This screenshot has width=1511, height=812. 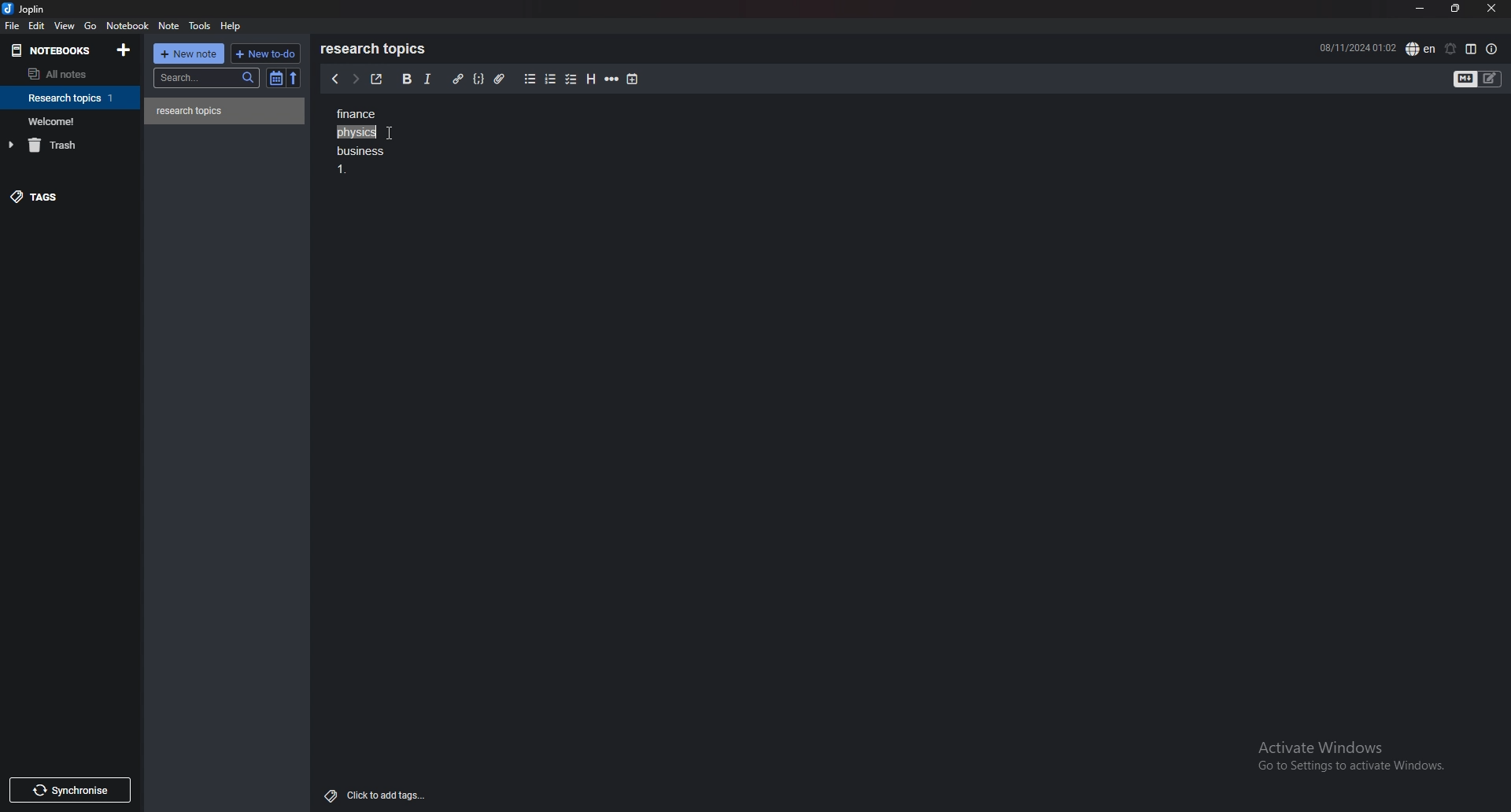 What do you see at coordinates (225, 111) in the screenshot?
I see `note` at bounding box center [225, 111].